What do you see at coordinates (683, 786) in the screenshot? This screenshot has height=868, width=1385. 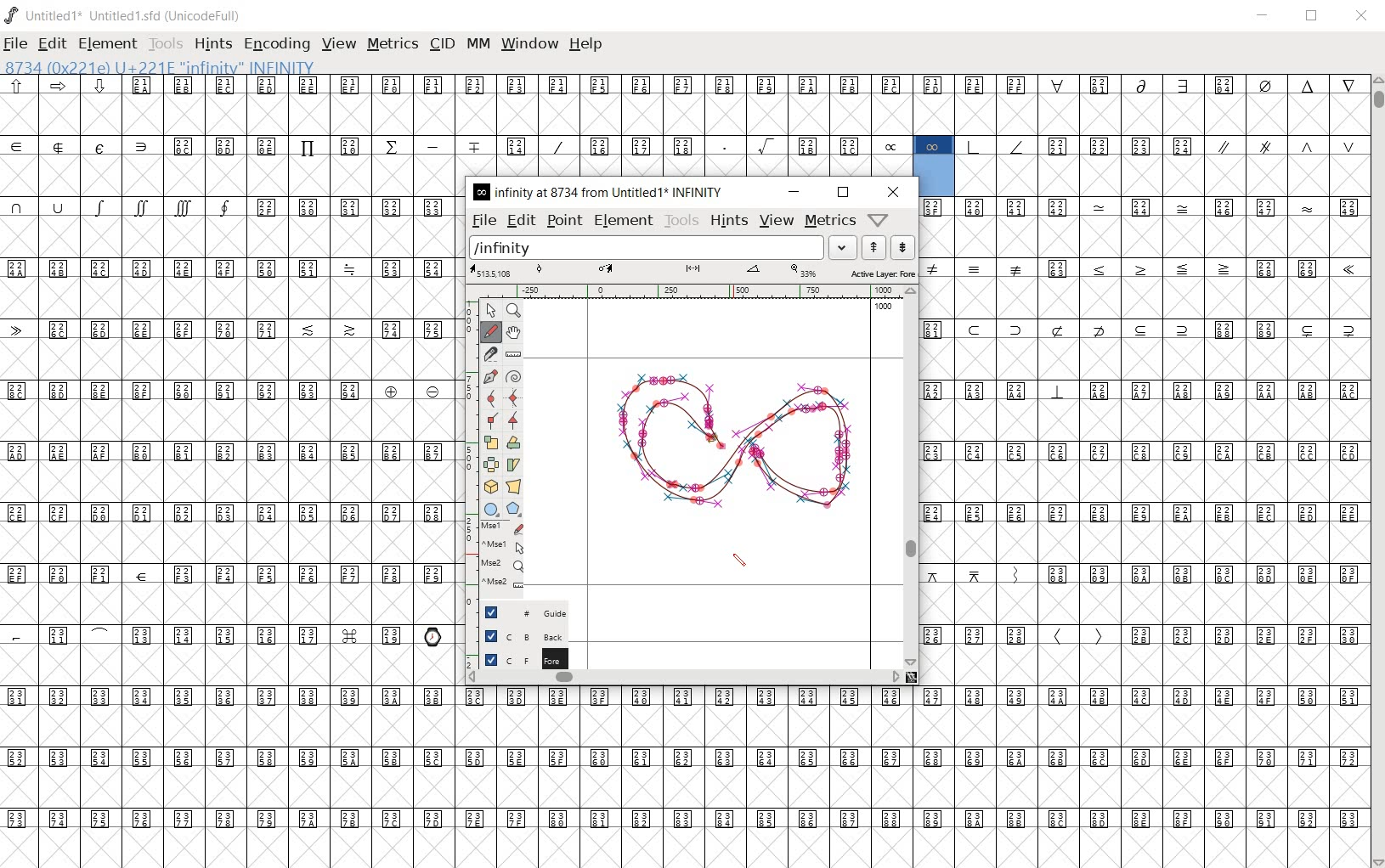 I see `empty glyph slots` at bounding box center [683, 786].